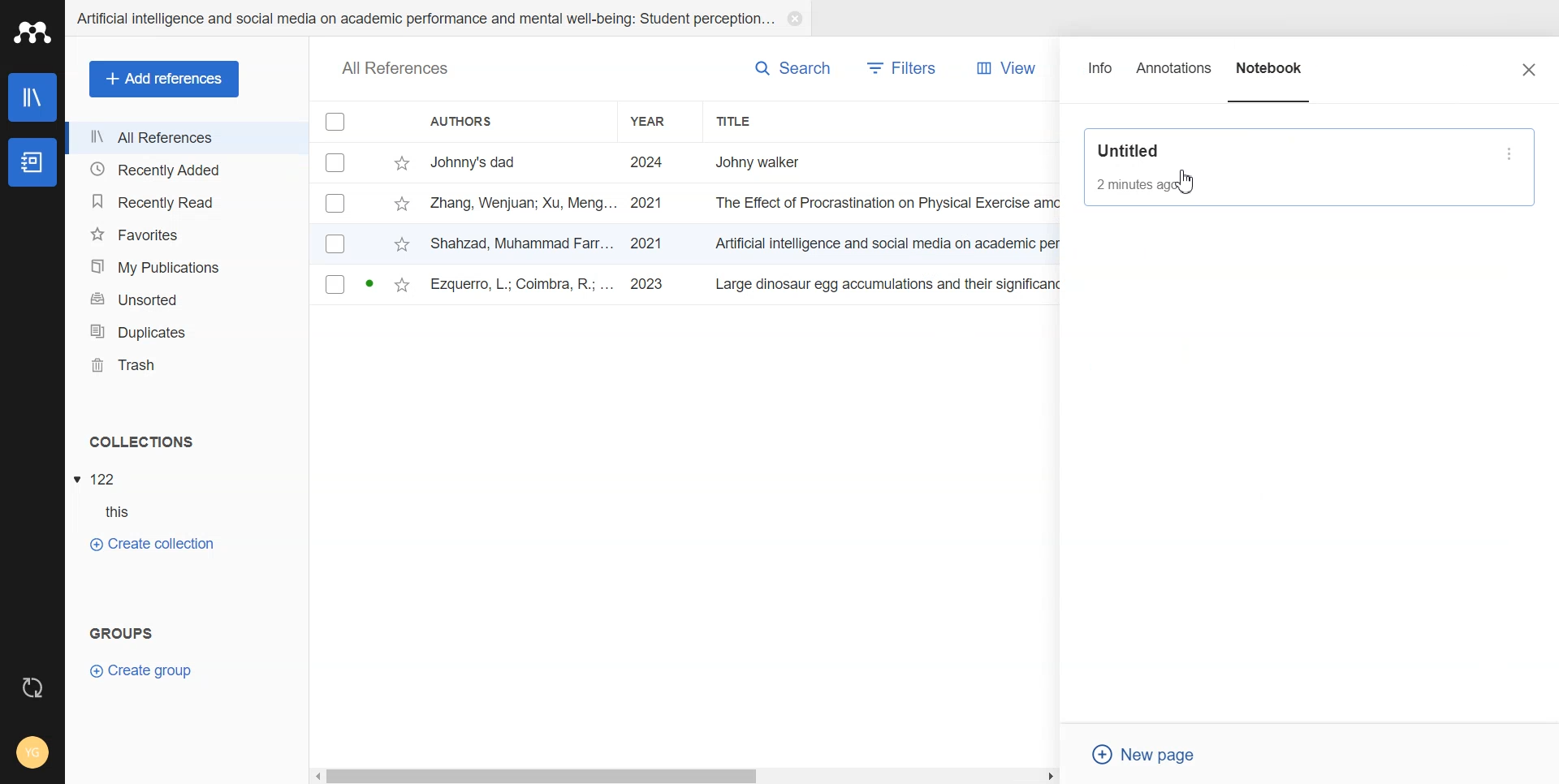 Image resolution: width=1559 pixels, height=784 pixels. What do you see at coordinates (141, 670) in the screenshot?
I see `Crate Group` at bounding box center [141, 670].